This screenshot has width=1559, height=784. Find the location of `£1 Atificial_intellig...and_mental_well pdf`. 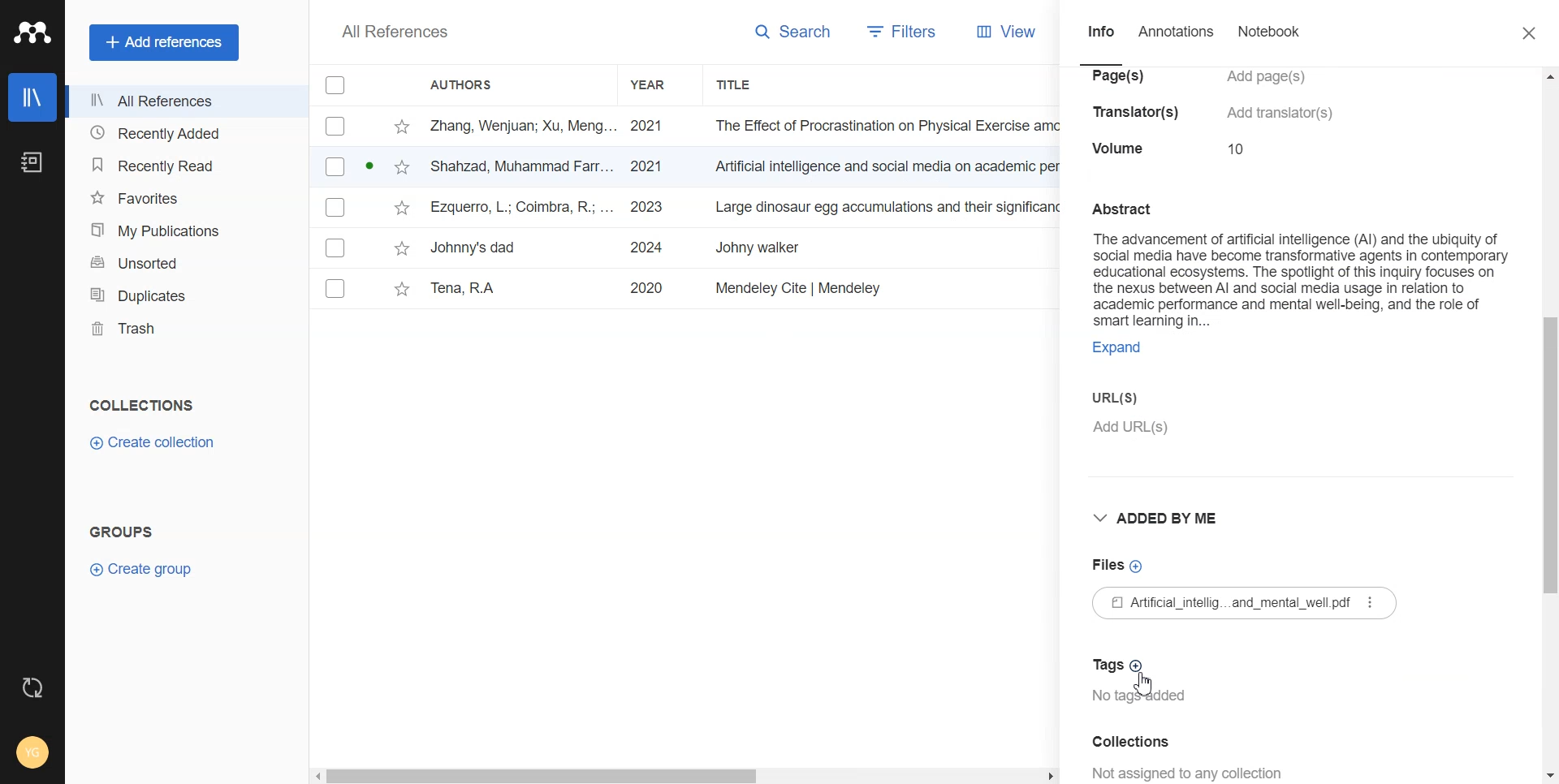

£1 Atificial_intellig...and_mental_well pdf is located at coordinates (1251, 603).